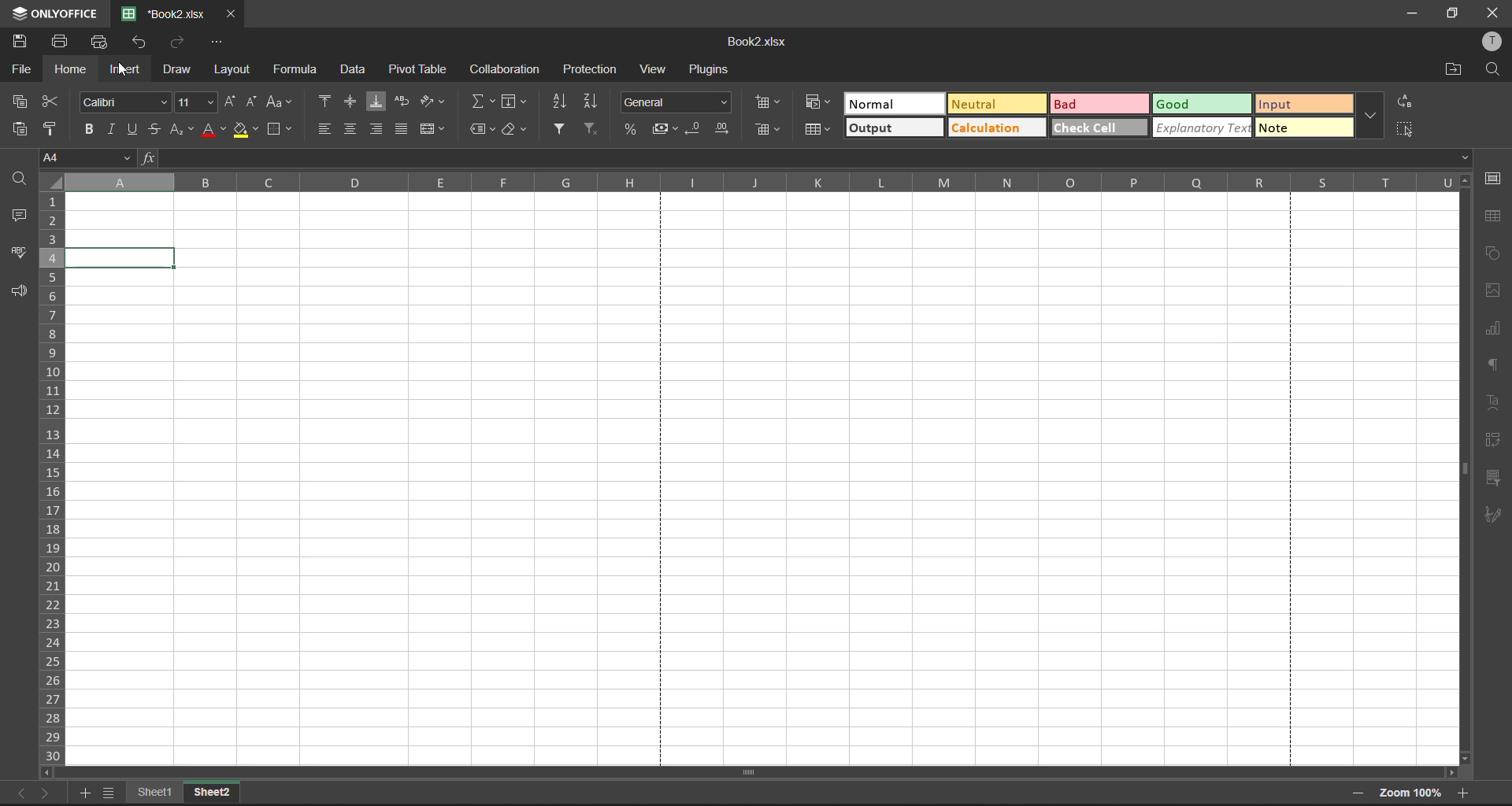 This screenshot has width=1512, height=806. Describe the element at coordinates (895, 128) in the screenshot. I see `output` at that location.